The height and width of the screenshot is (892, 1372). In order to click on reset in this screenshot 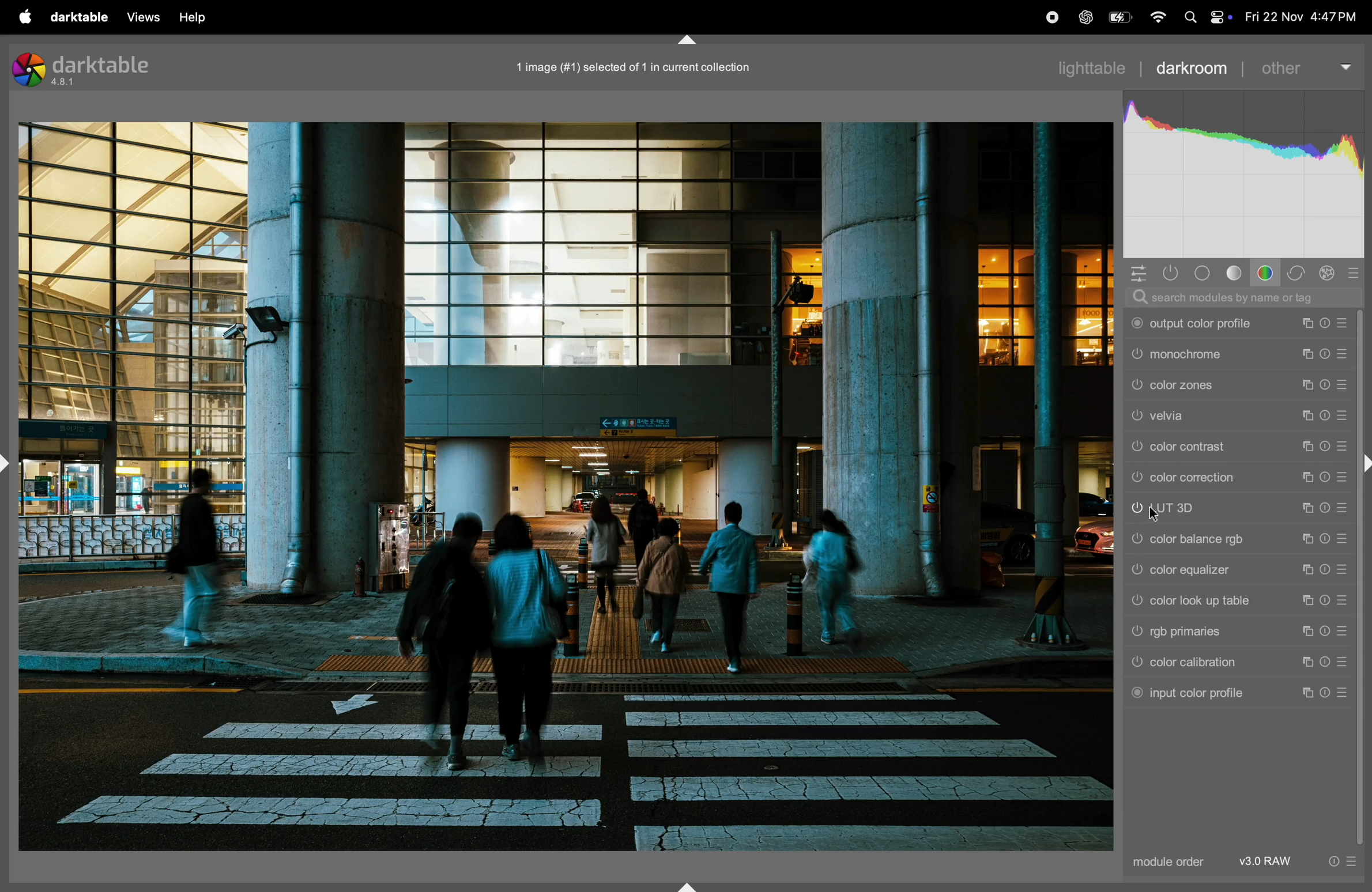, I will do `click(1325, 475)`.